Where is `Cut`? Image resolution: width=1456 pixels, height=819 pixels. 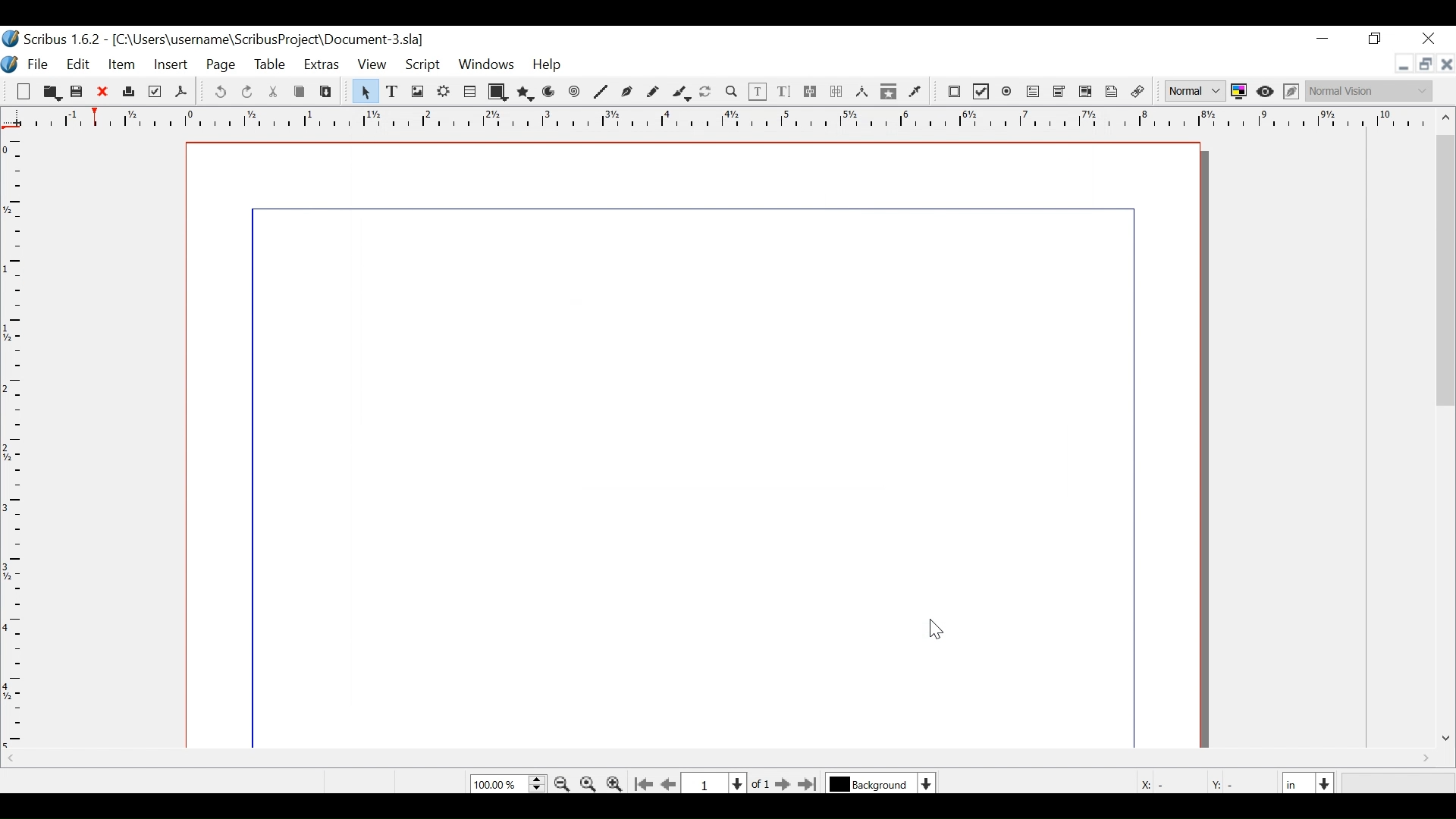
Cut is located at coordinates (275, 93).